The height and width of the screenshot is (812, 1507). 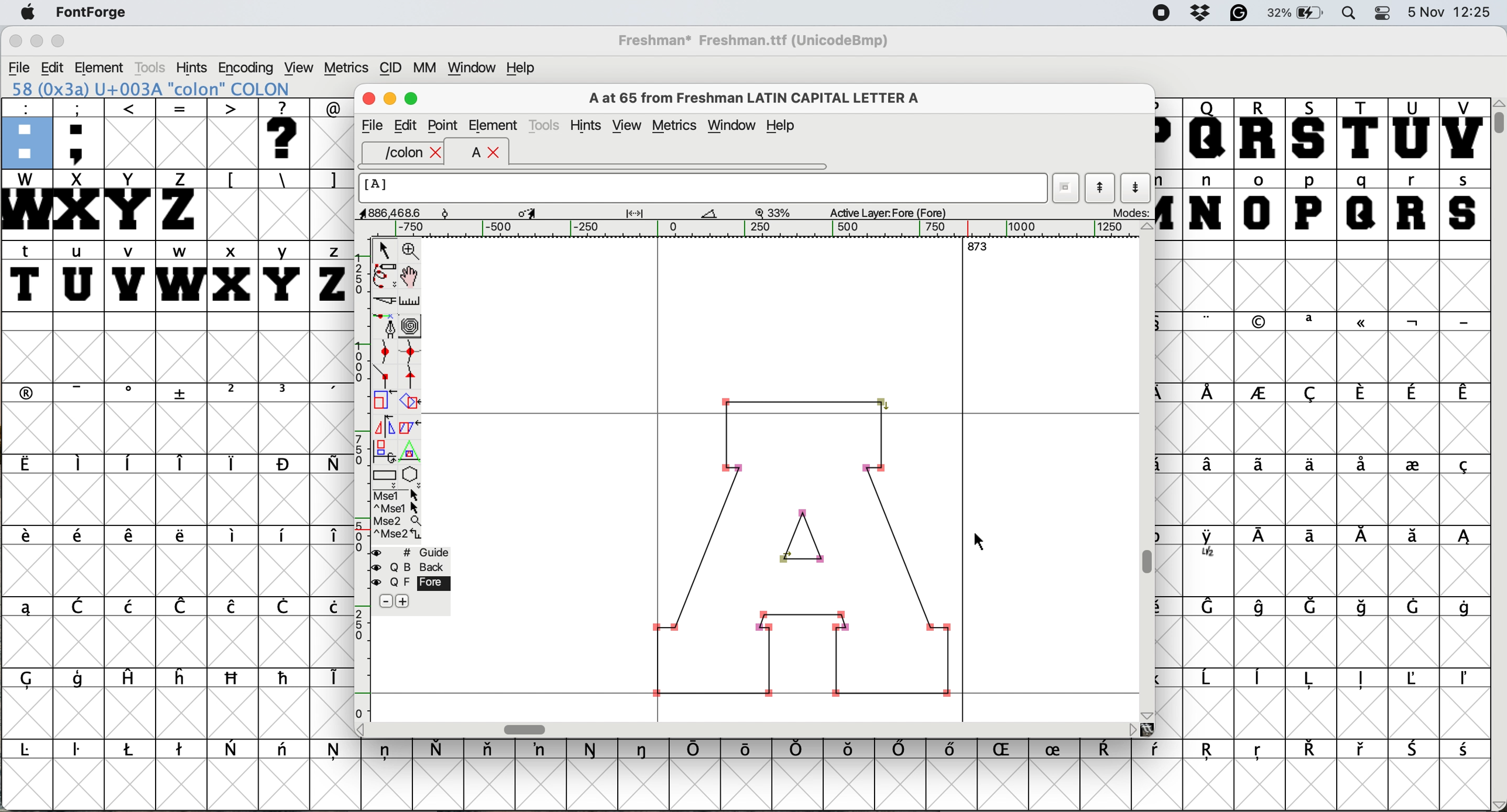 What do you see at coordinates (1007, 751) in the screenshot?
I see `symbol` at bounding box center [1007, 751].